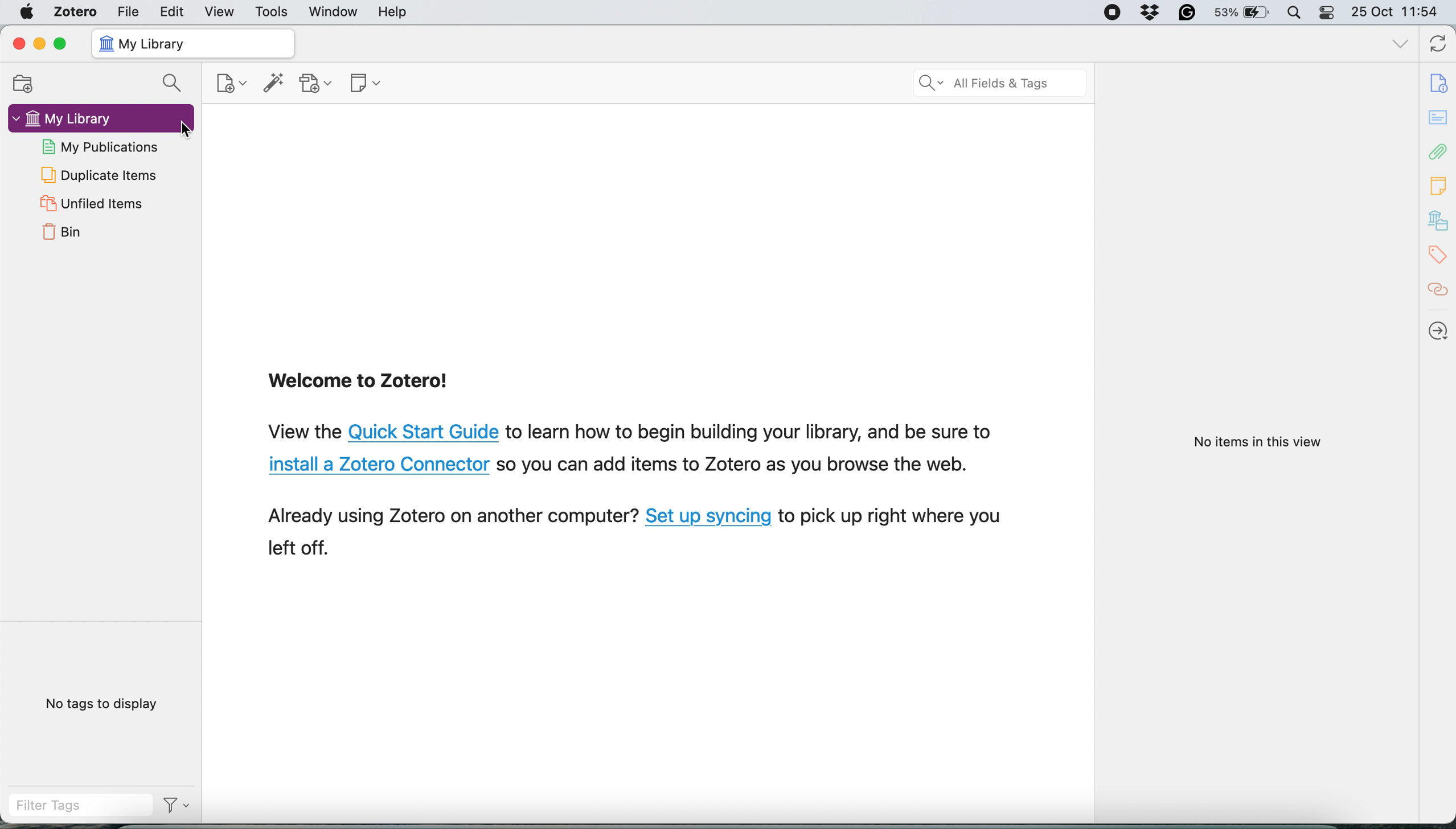 Image resolution: width=1456 pixels, height=829 pixels. What do you see at coordinates (170, 12) in the screenshot?
I see `edit` at bounding box center [170, 12].